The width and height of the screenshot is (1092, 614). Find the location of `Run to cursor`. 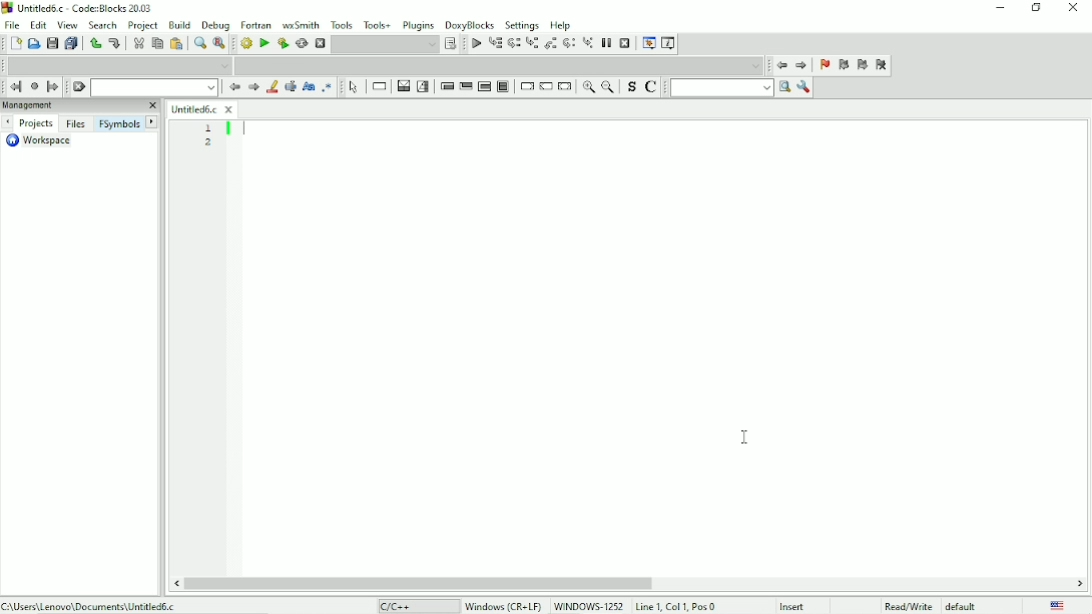

Run to cursor is located at coordinates (495, 44).